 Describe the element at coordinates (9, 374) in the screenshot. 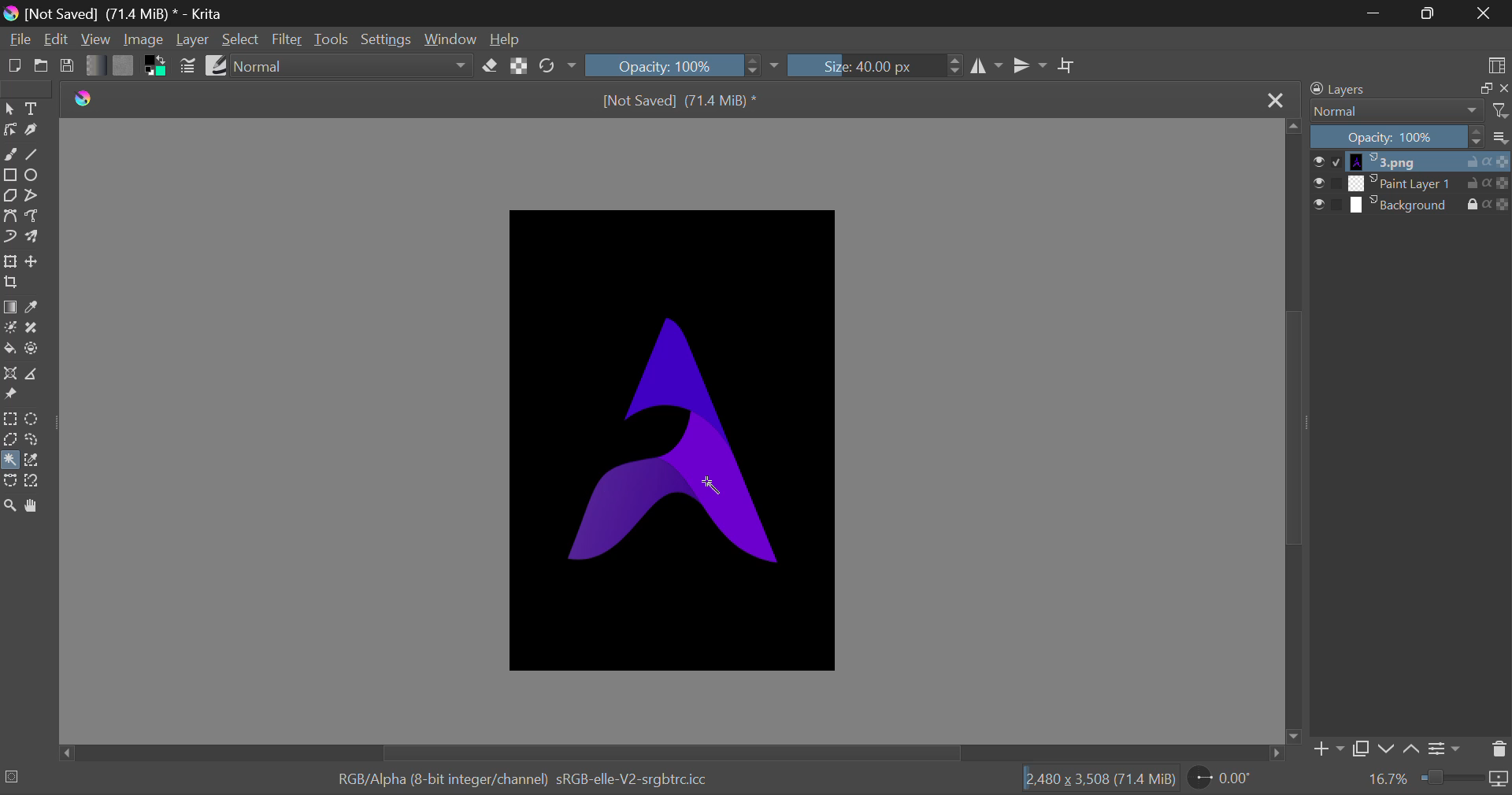

I see `Assistant Tool` at that location.